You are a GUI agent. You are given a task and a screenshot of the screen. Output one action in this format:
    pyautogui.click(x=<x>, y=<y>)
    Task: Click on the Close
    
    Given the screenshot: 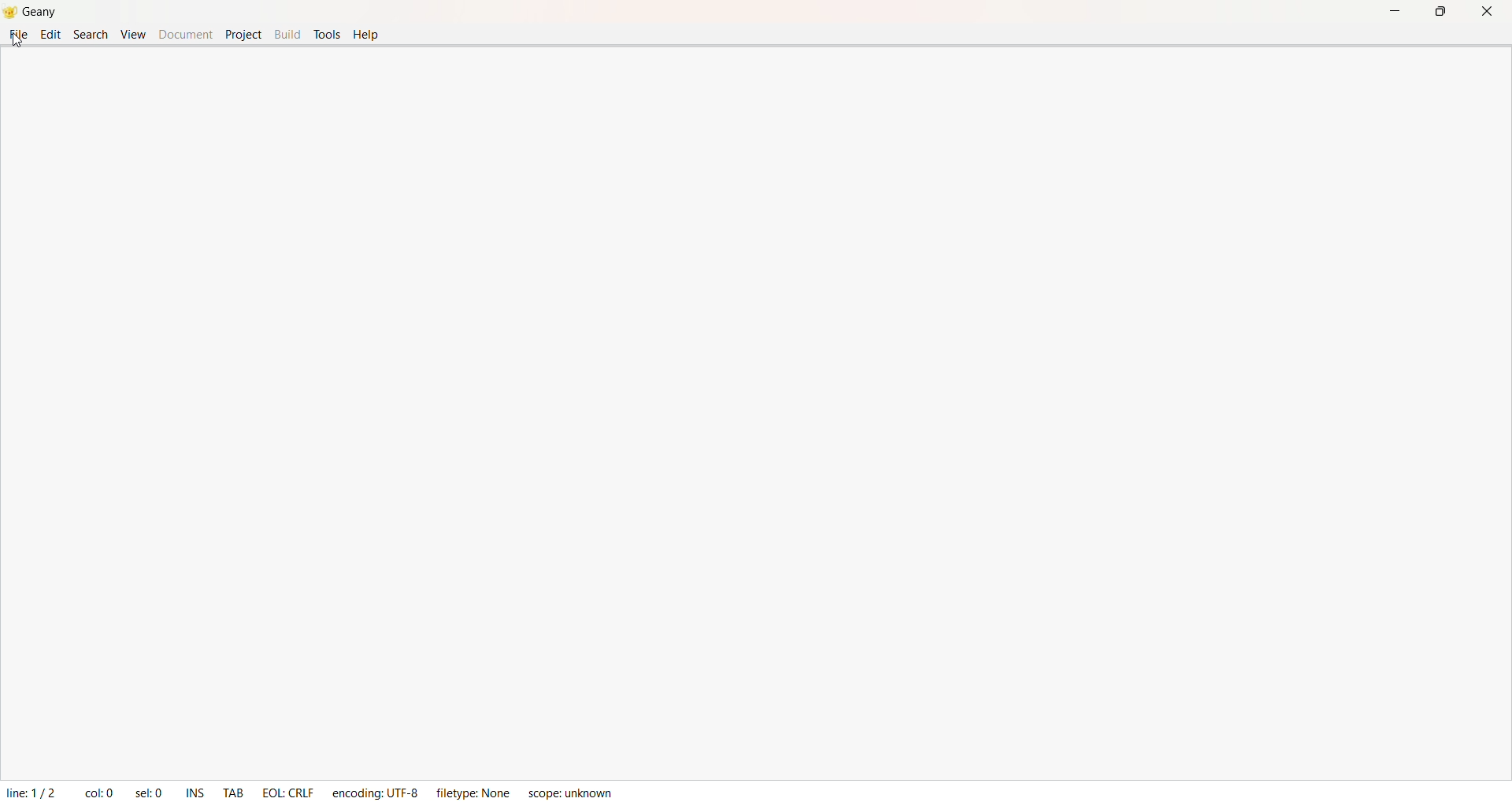 What is the action you would take?
    pyautogui.click(x=1491, y=13)
    